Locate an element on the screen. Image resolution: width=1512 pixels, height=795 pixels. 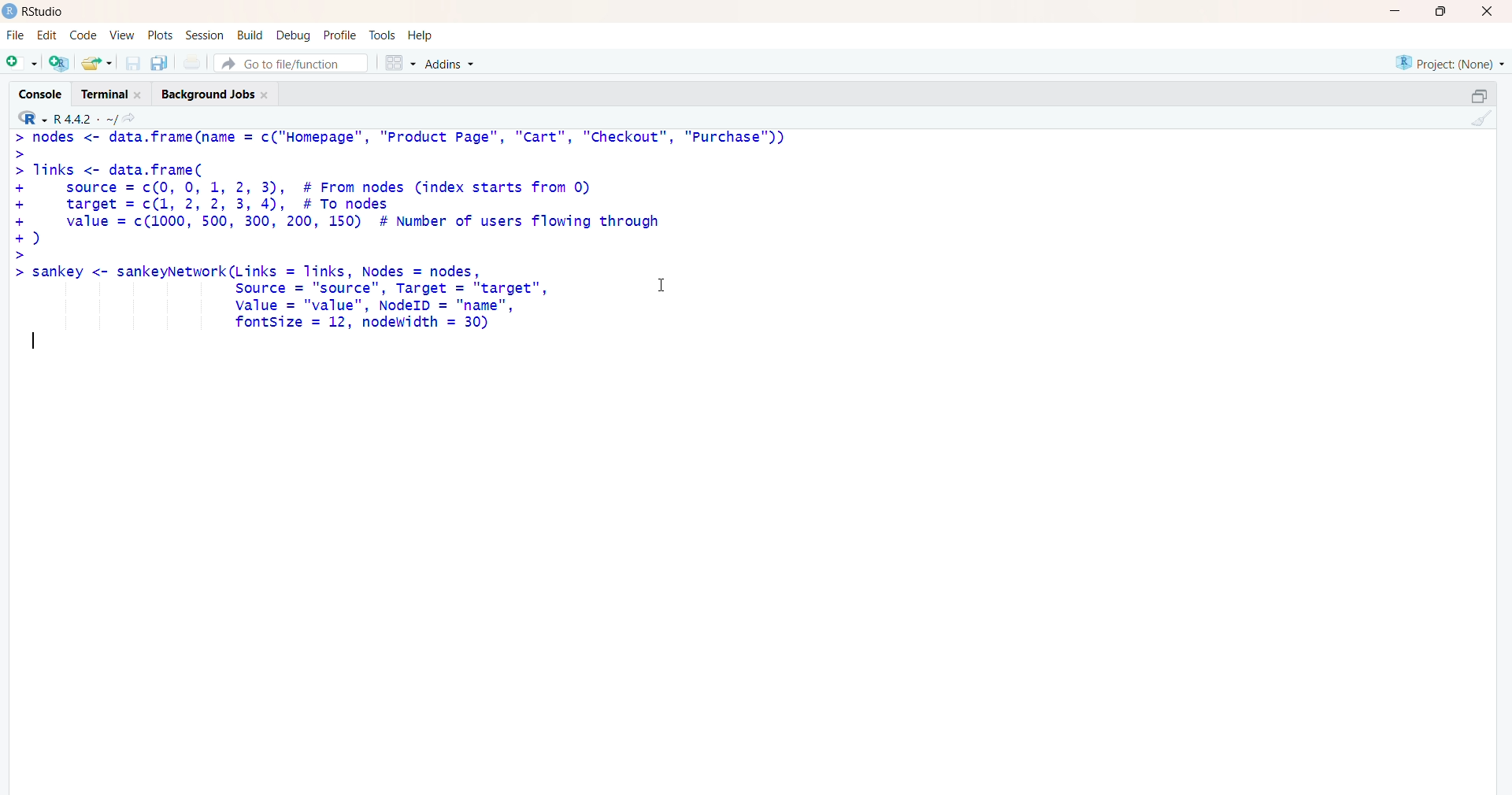
grid is located at coordinates (396, 64).